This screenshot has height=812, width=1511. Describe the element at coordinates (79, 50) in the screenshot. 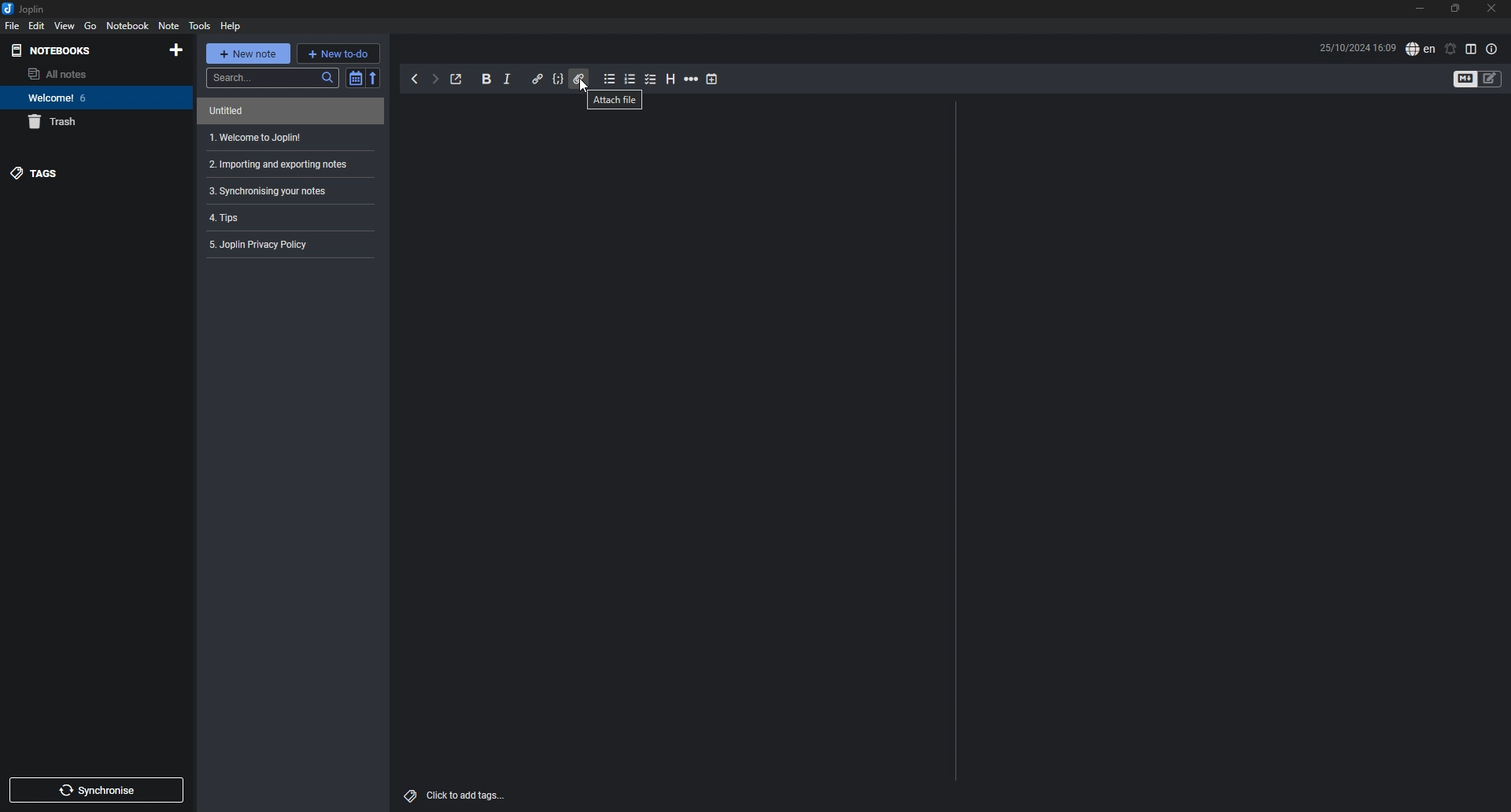

I see `notebooks` at that location.